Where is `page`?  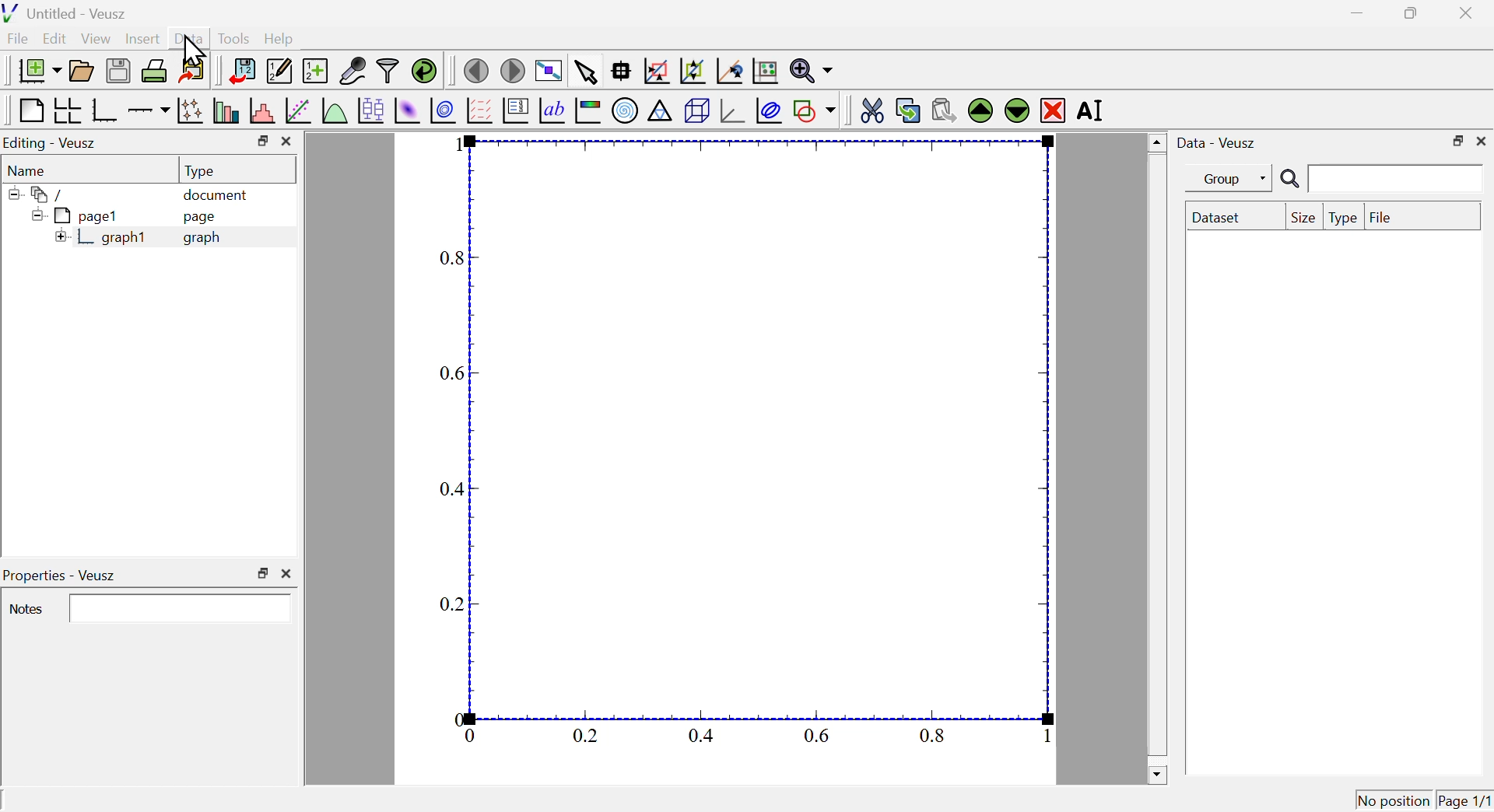
page is located at coordinates (202, 219).